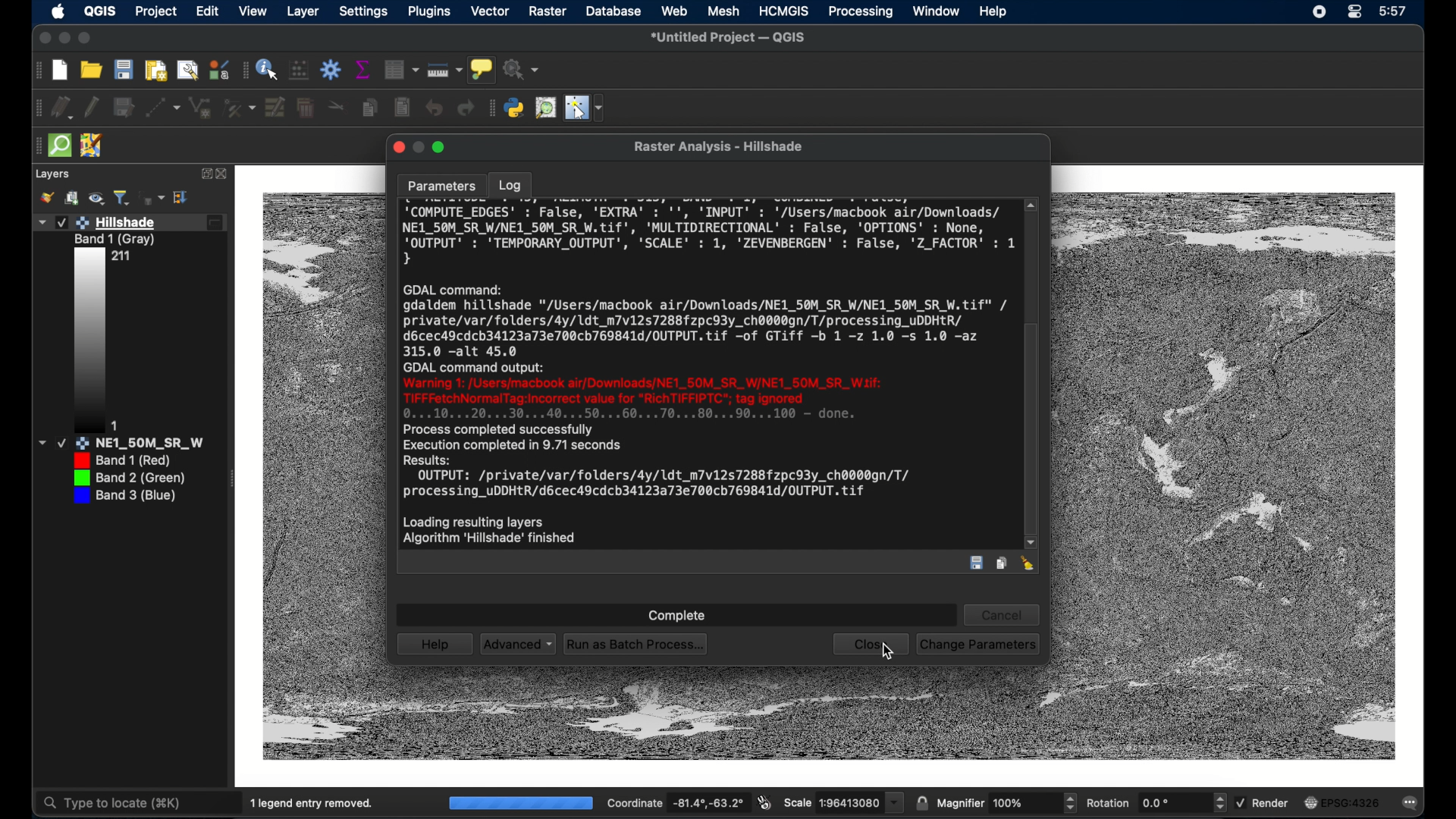 This screenshot has height=819, width=1456. What do you see at coordinates (937, 12) in the screenshot?
I see `window` at bounding box center [937, 12].